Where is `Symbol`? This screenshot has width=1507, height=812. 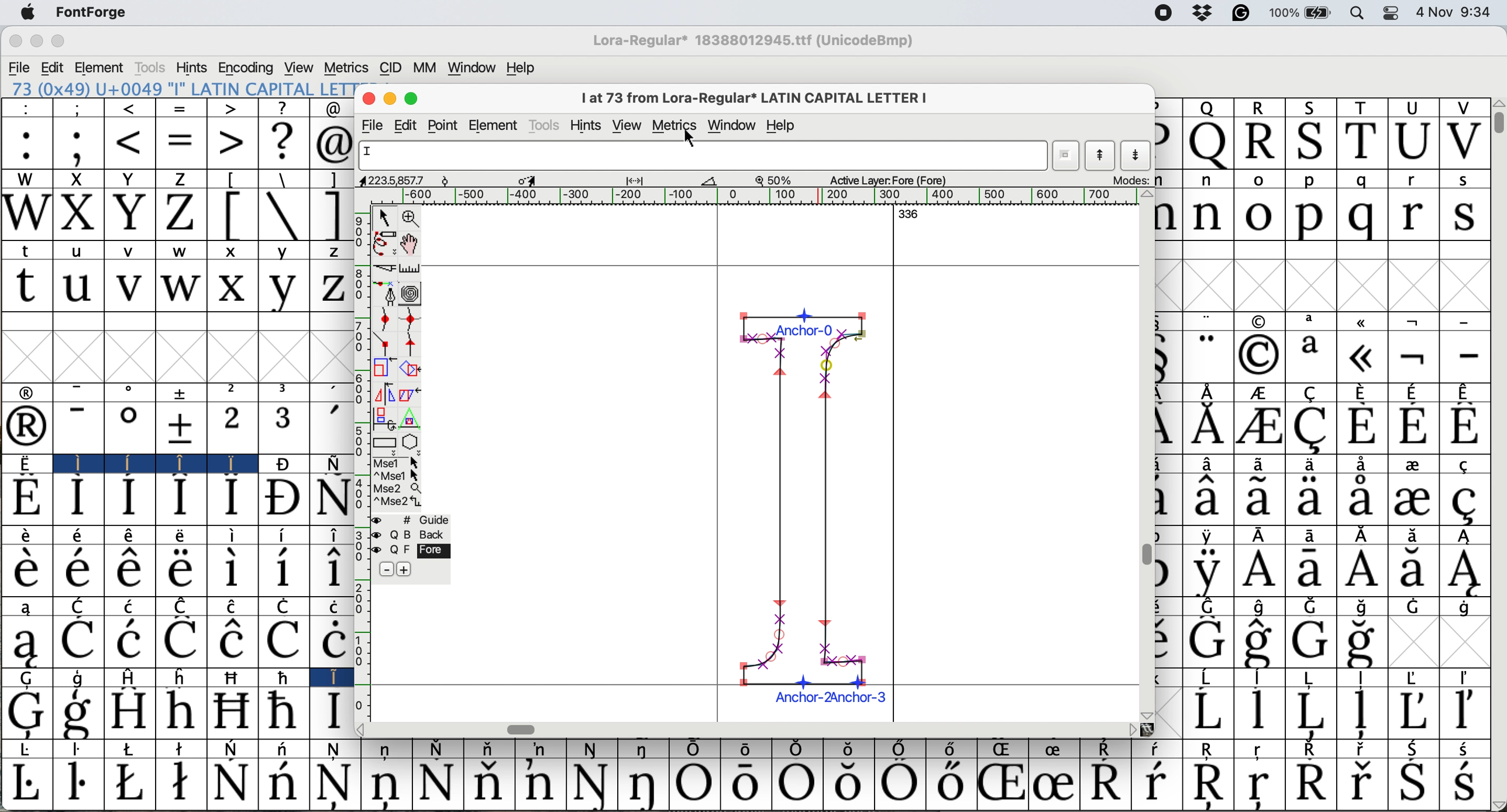
Symbol is located at coordinates (232, 498).